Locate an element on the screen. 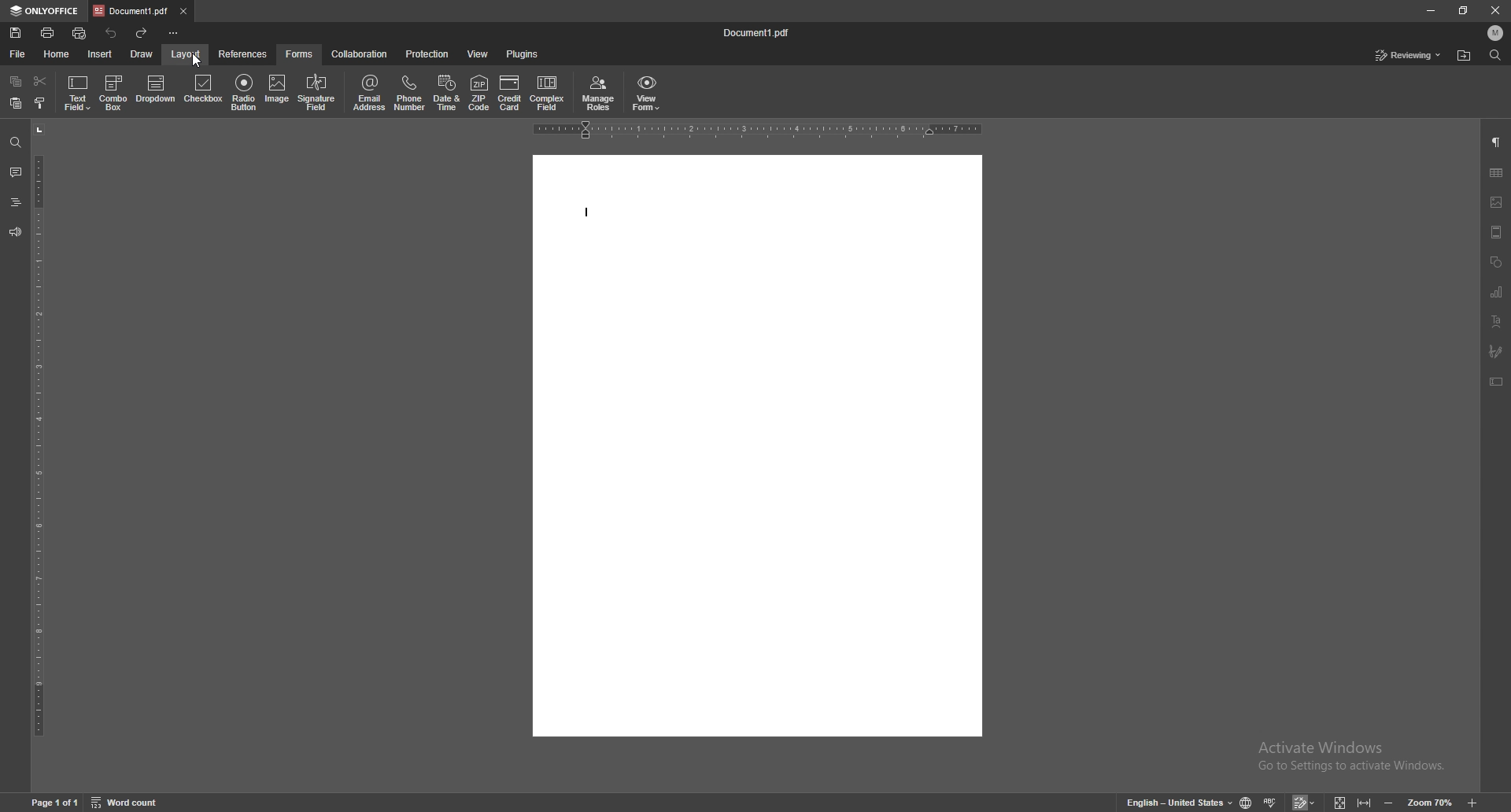 This screenshot has height=812, width=1511. zip code is located at coordinates (480, 91).